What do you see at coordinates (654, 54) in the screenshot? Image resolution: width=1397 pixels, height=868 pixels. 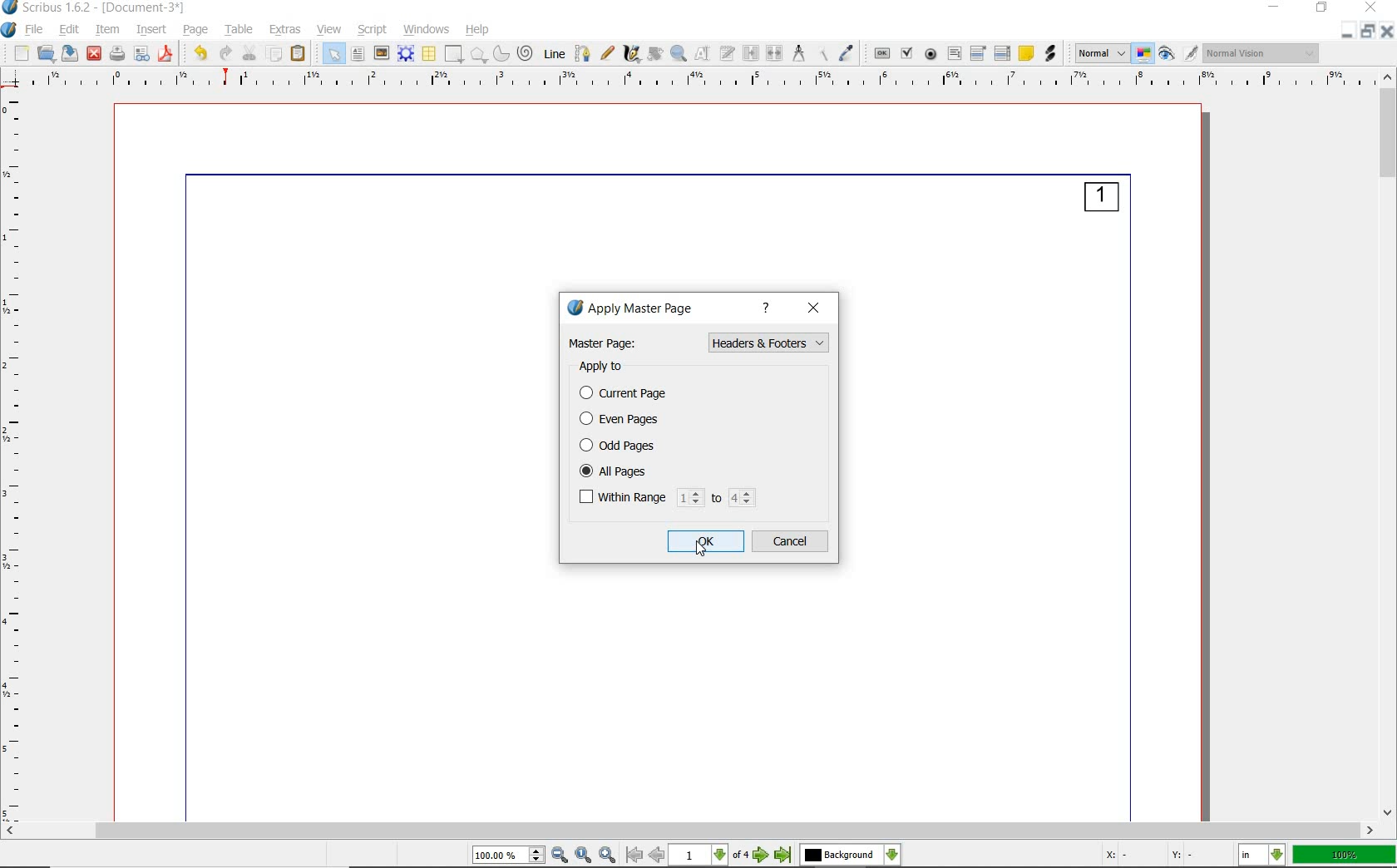 I see `rotate item` at bounding box center [654, 54].